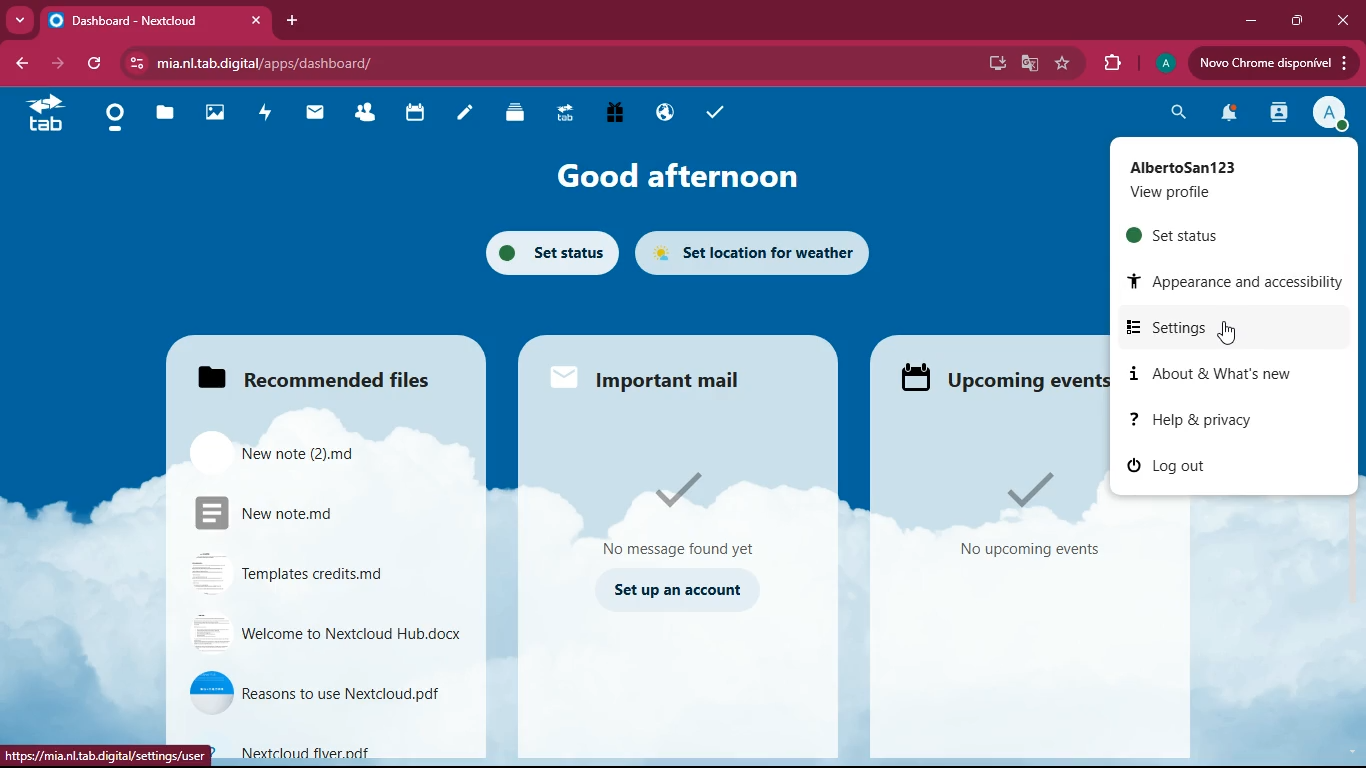  I want to click on close, so click(1342, 20).